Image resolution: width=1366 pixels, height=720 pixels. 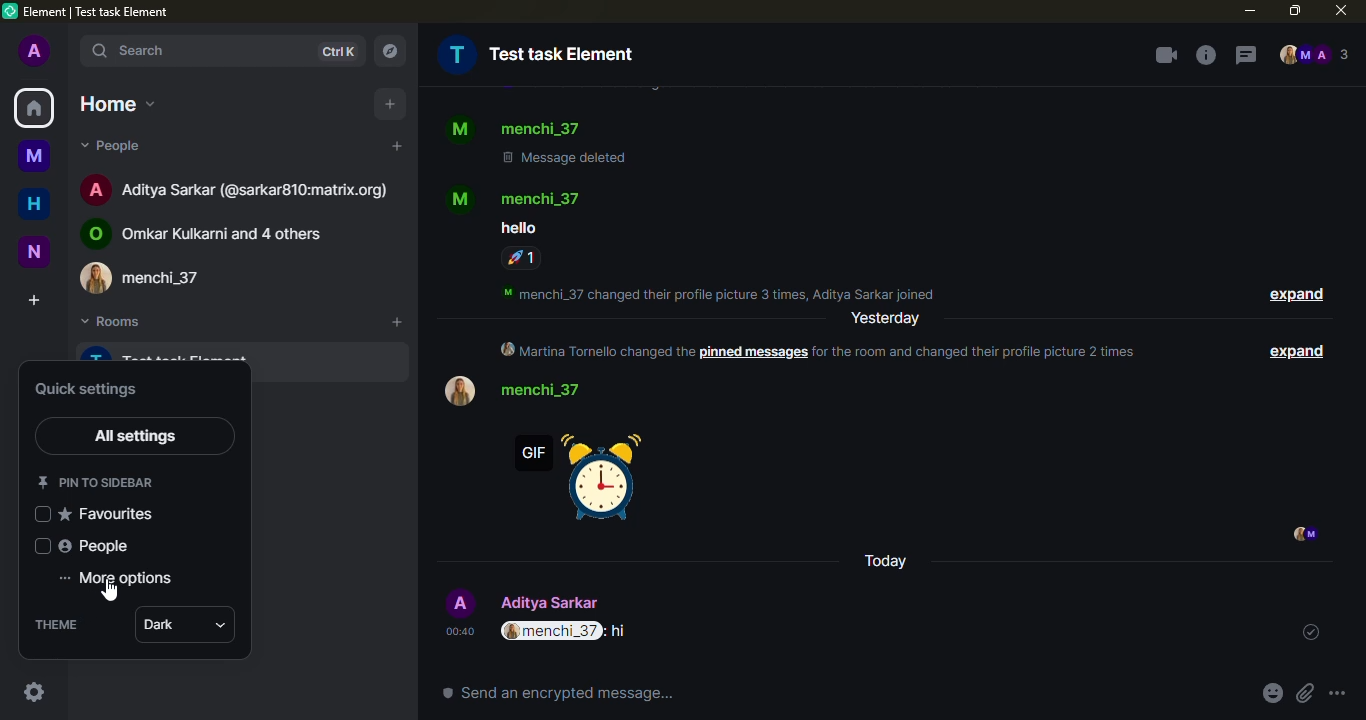 What do you see at coordinates (57, 624) in the screenshot?
I see `theme` at bounding box center [57, 624].